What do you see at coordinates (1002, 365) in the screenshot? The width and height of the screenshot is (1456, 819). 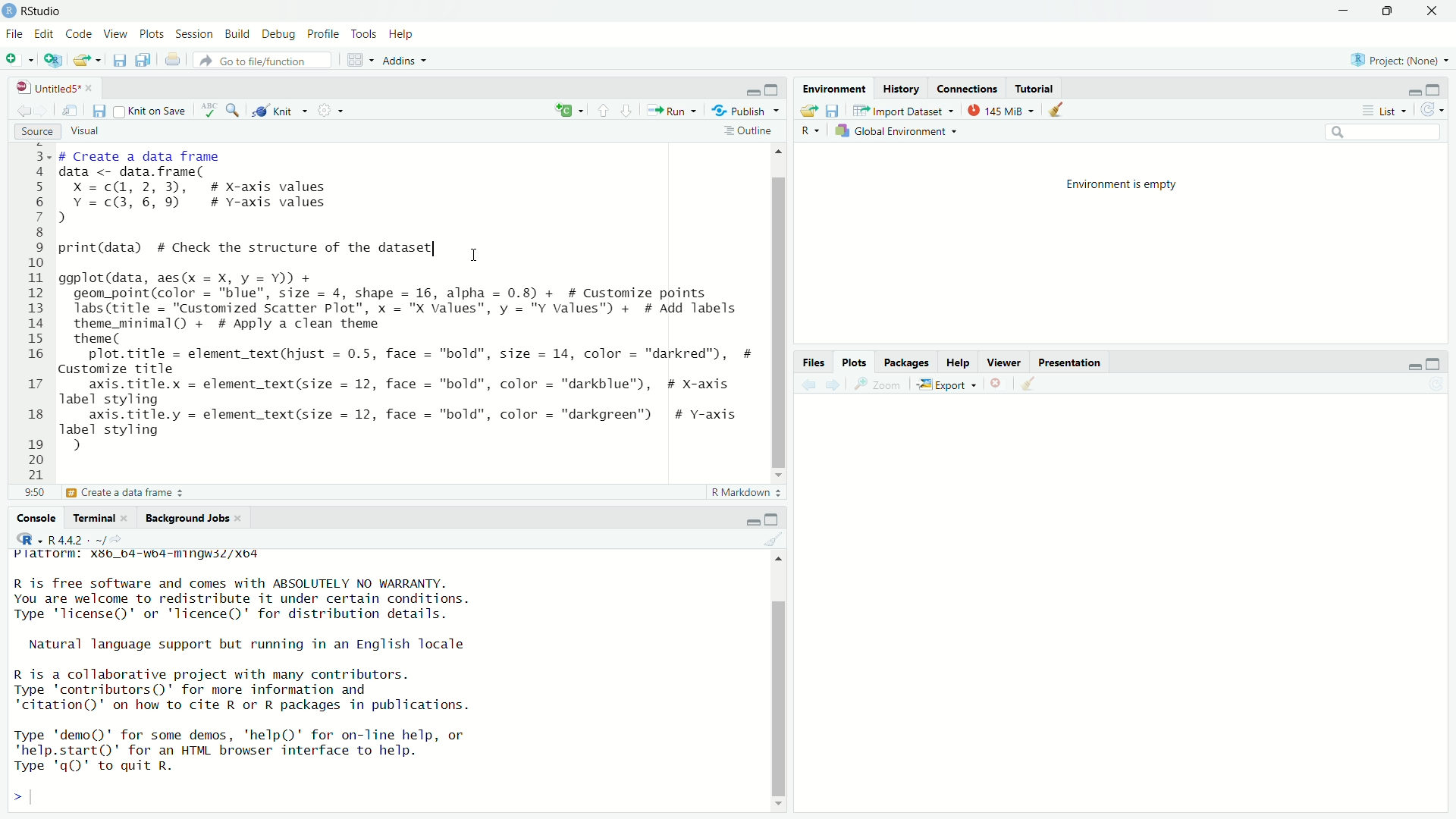 I see `Viewer` at bounding box center [1002, 365].